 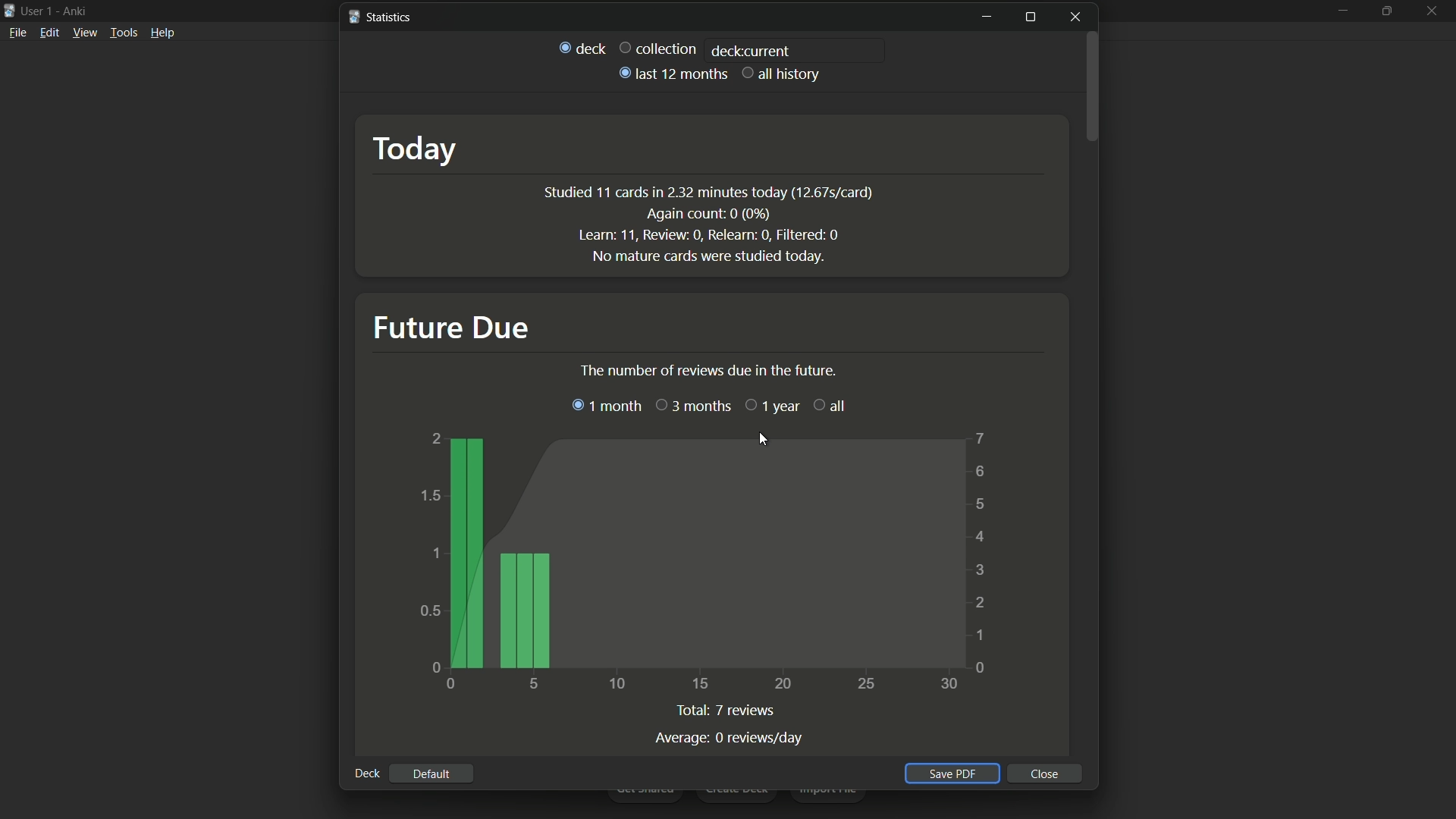 I want to click on default, so click(x=431, y=774).